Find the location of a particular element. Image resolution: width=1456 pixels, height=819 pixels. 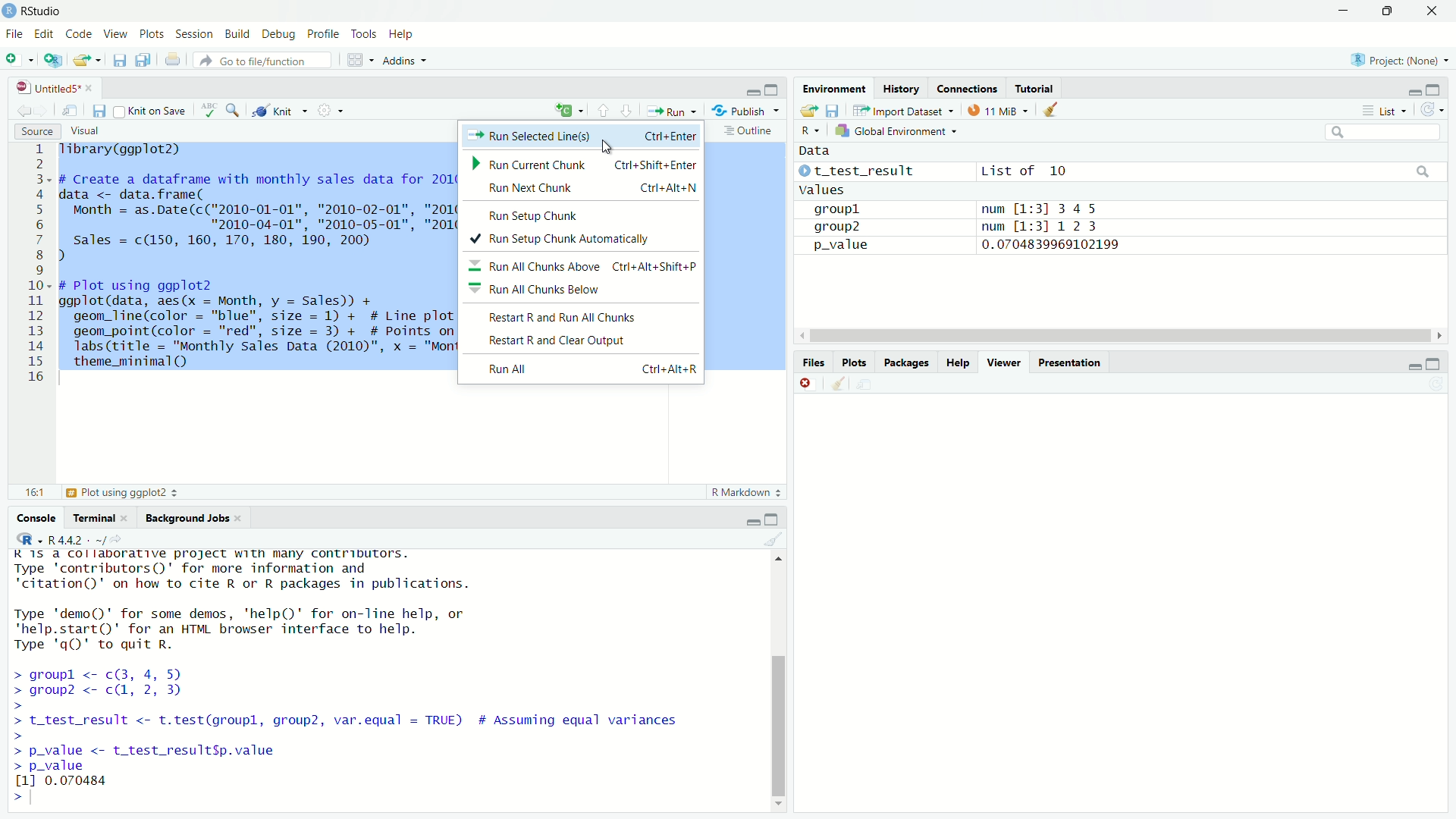

@R -R442- ~/ is located at coordinates (63, 540).